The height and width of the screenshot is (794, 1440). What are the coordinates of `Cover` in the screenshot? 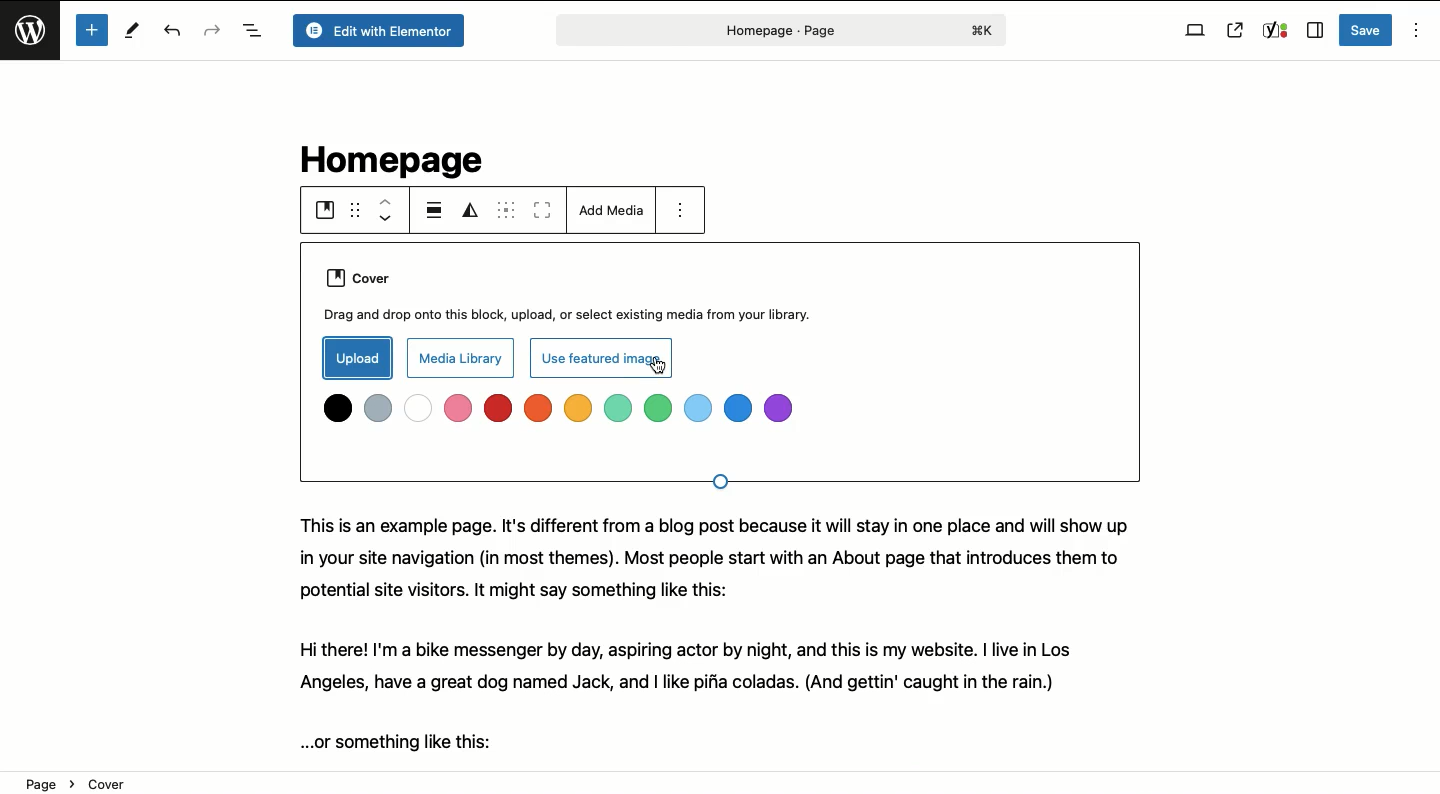 It's located at (323, 211).